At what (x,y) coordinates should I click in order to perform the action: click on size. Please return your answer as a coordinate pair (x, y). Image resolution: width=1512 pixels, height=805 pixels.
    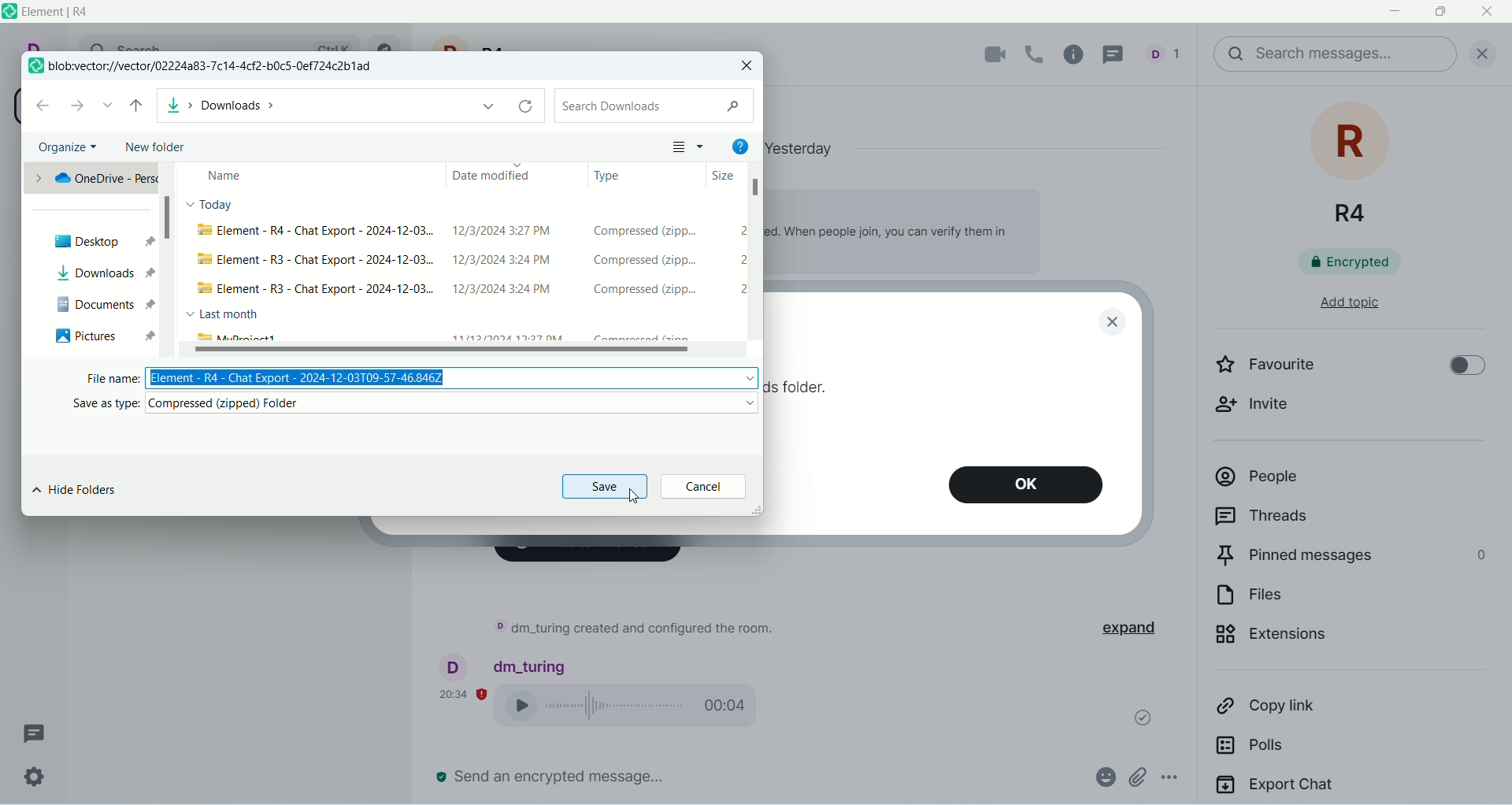
    Looking at the image, I should click on (725, 176).